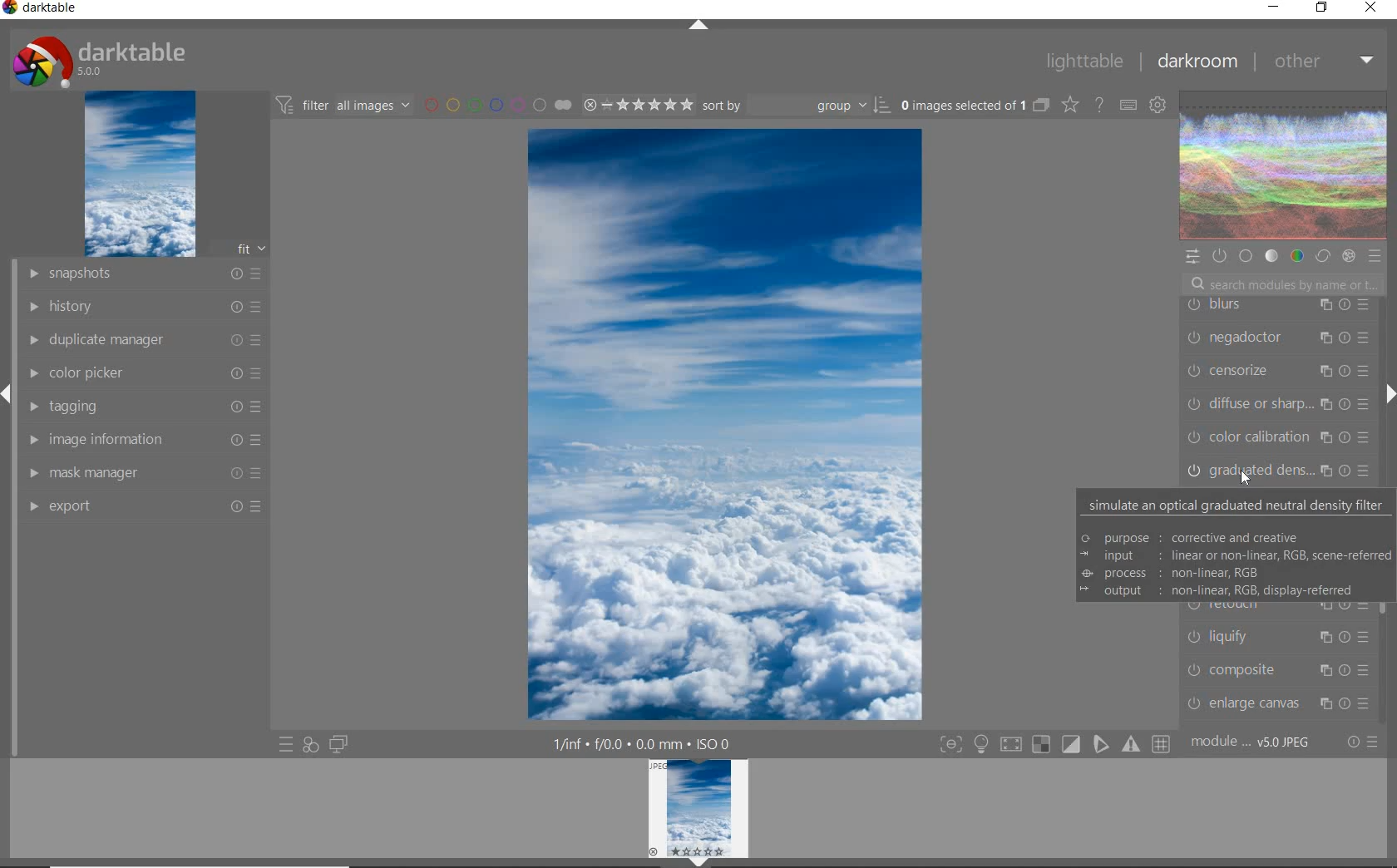 Image resolution: width=1397 pixels, height=868 pixels. Describe the element at coordinates (1237, 506) in the screenshot. I see `simulate an optical graduated neutral density filter` at that location.